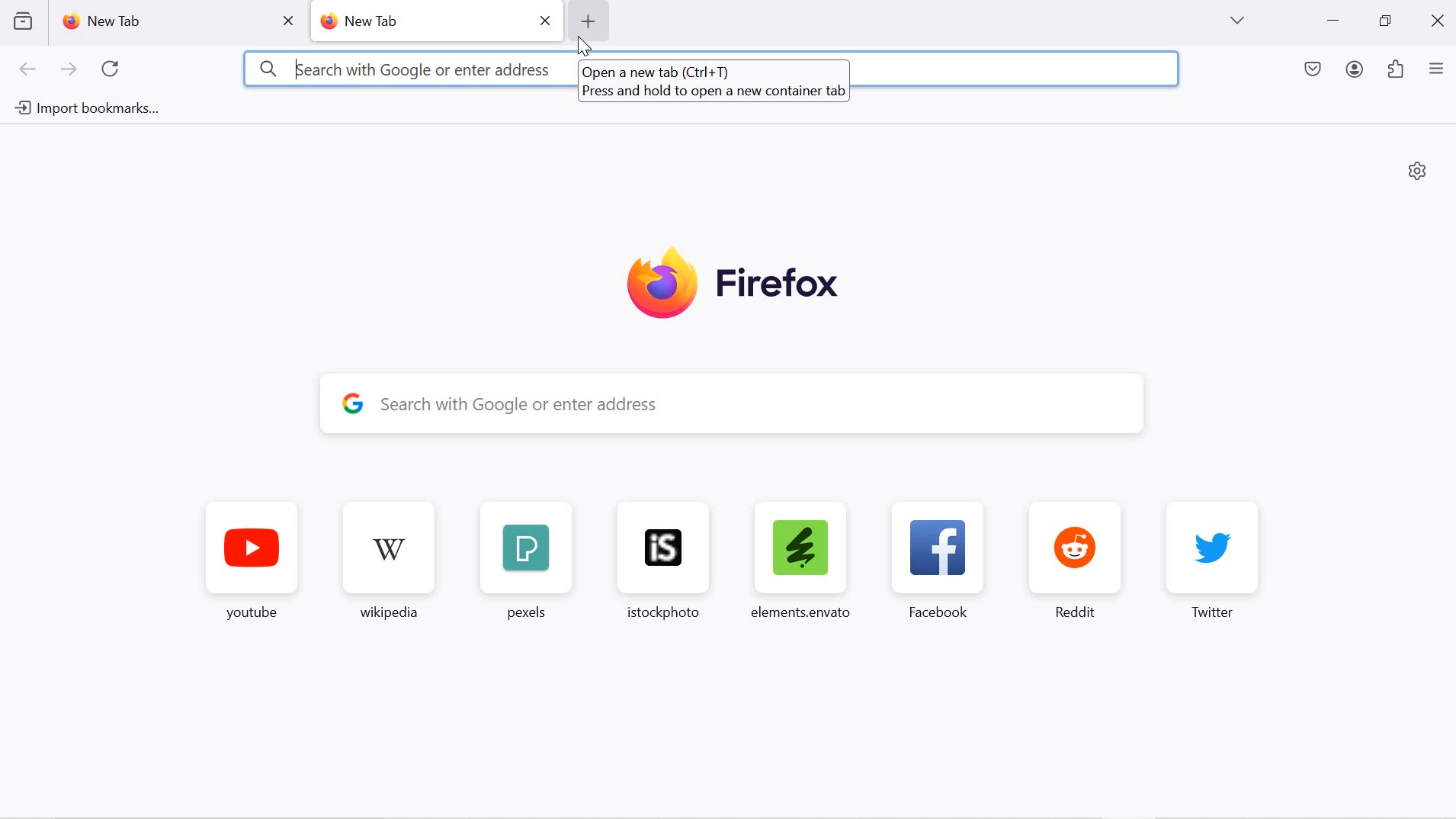 The width and height of the screenshot is (1456, 819). I want to click on Firefox logo, so click(733, 285).